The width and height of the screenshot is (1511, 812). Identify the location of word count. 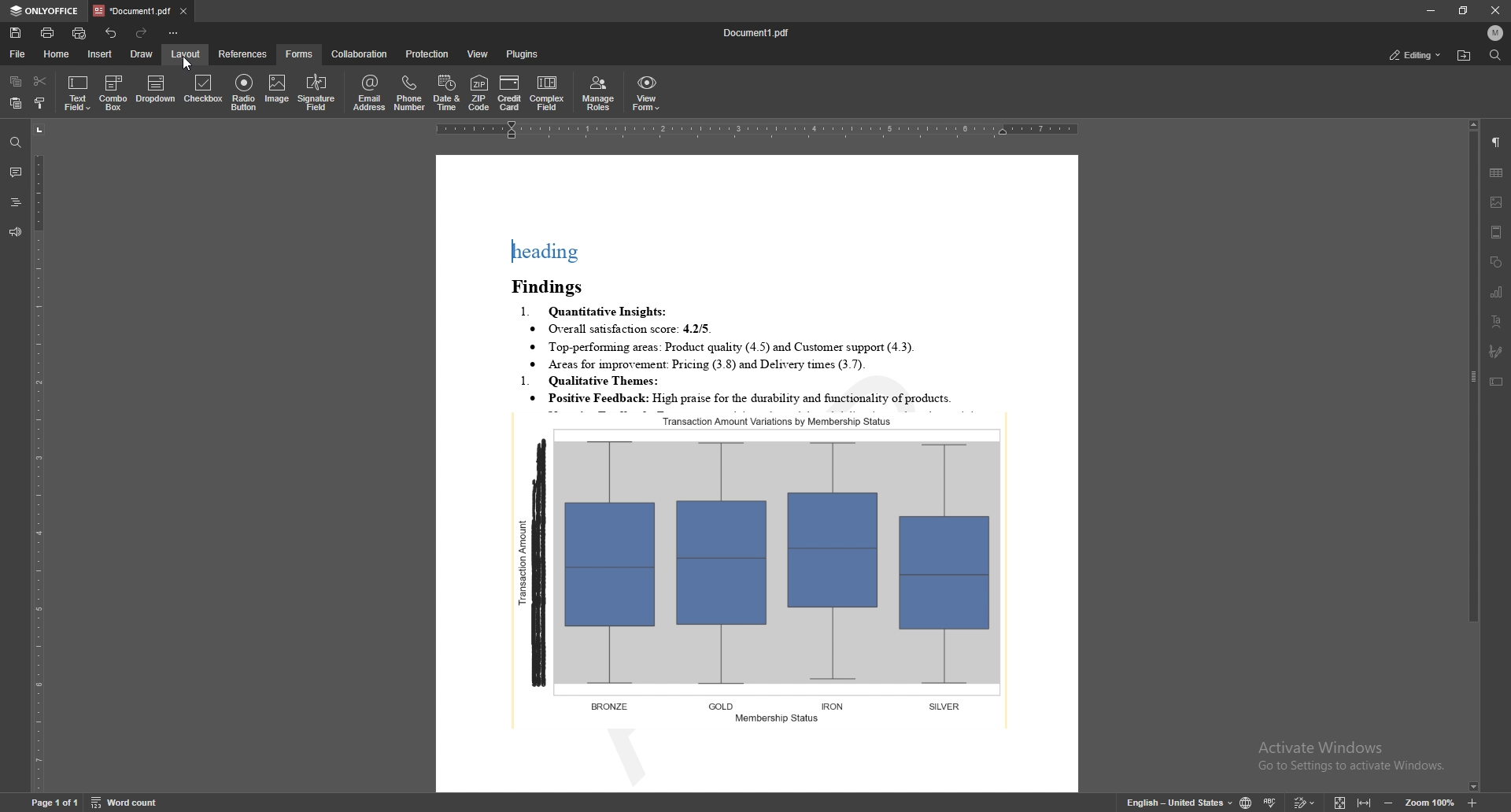
(126, 802).